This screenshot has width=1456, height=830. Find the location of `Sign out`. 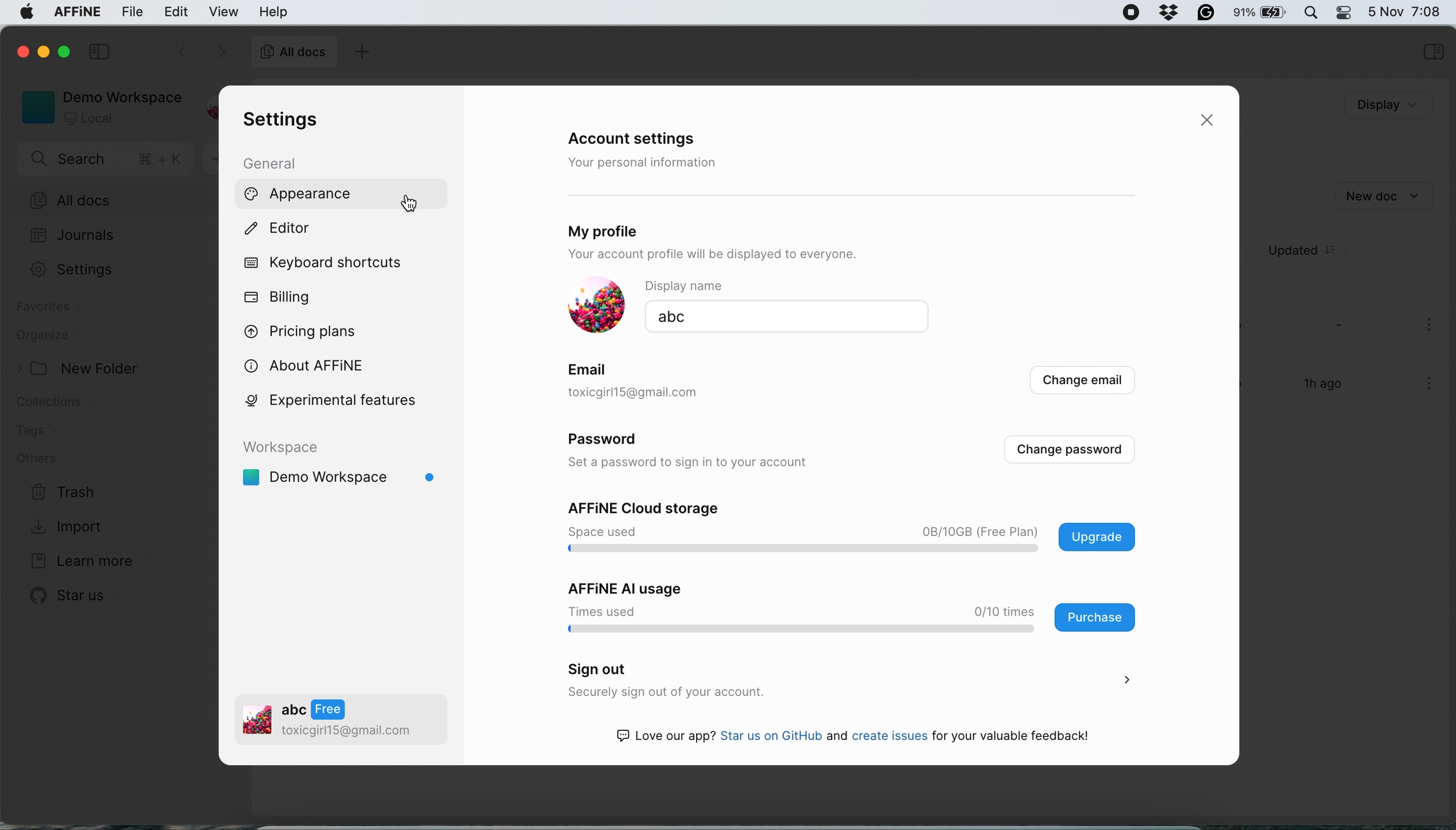

Sign out is located at coordinates (601, 668).